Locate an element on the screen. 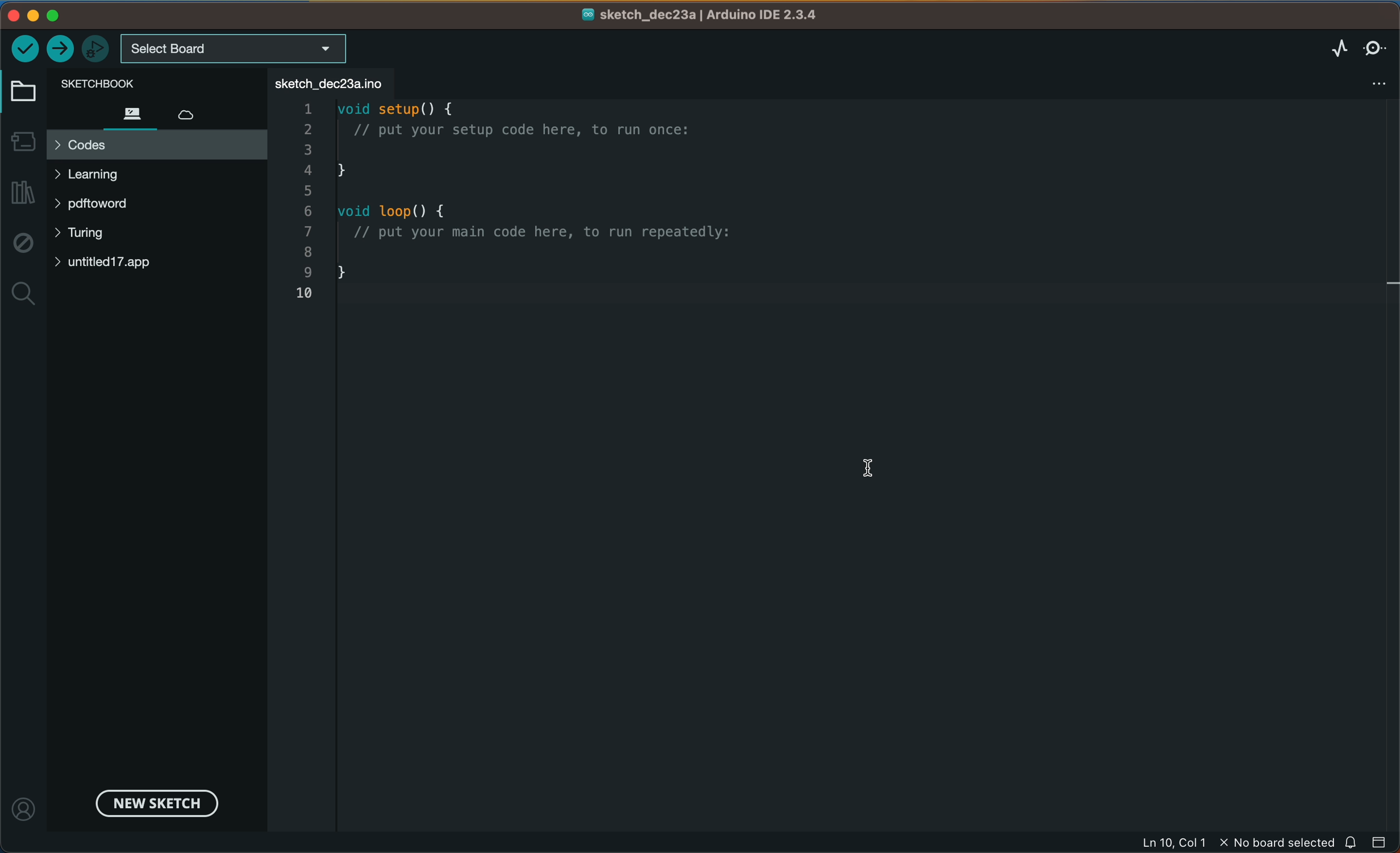 The width and height of the screenshot is (1400, 853). cursor is located at coordinates (872, 469).